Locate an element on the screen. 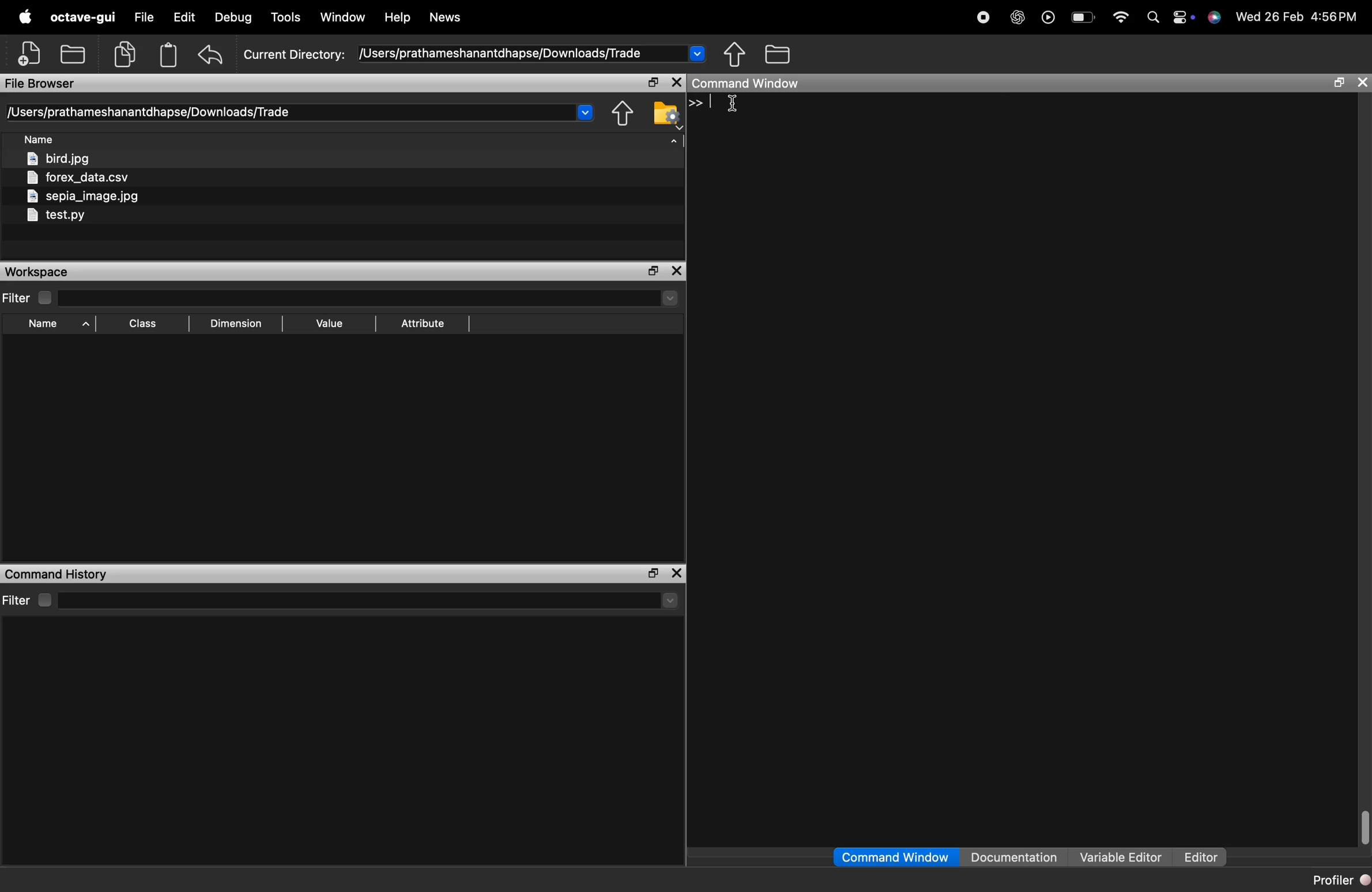  Dimension is located at coordinates (237, 323).